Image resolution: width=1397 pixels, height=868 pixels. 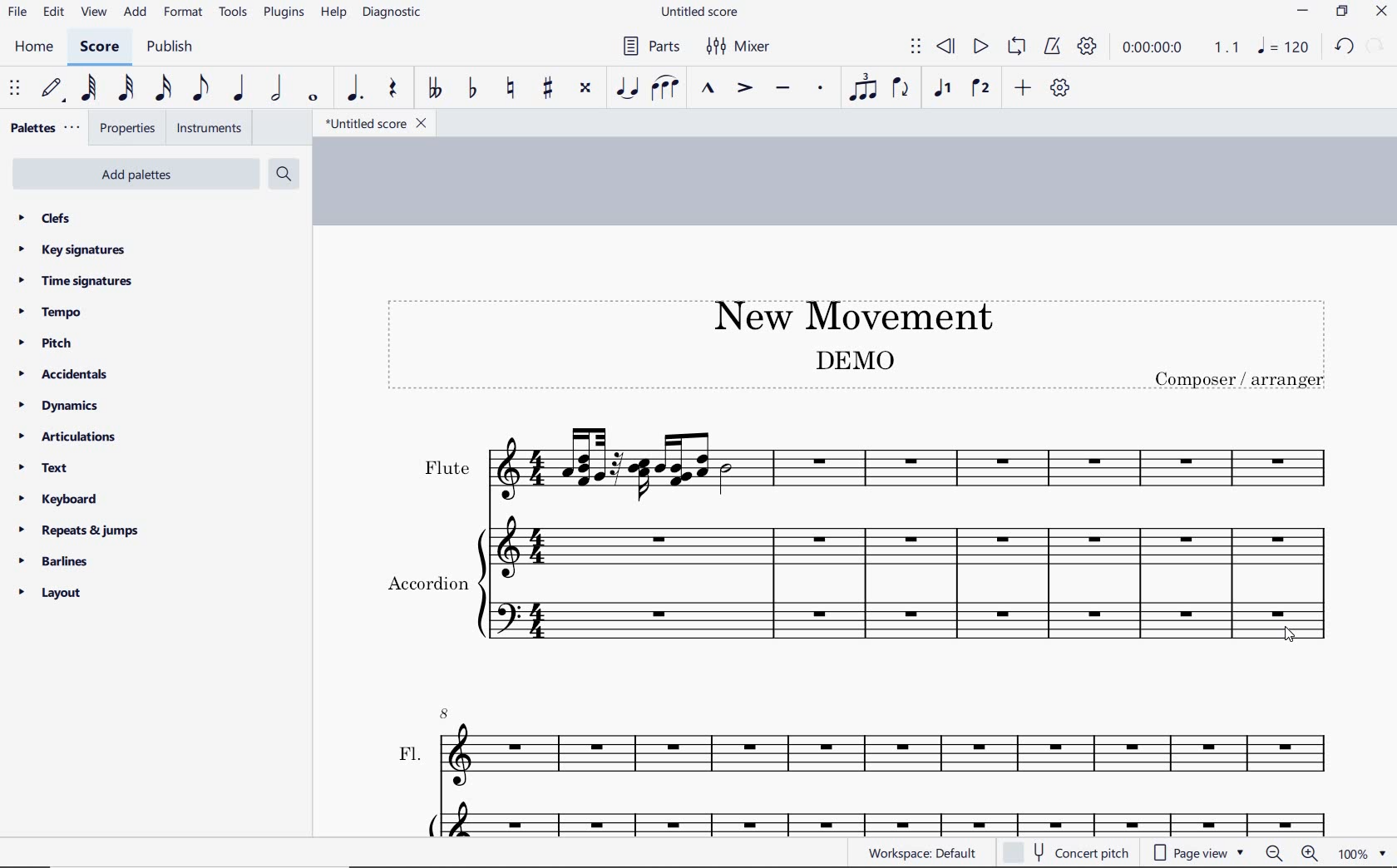 What do you see at coordinates (100, 49) in the screenshot?
I see `score` at bounding box center [100, 49].